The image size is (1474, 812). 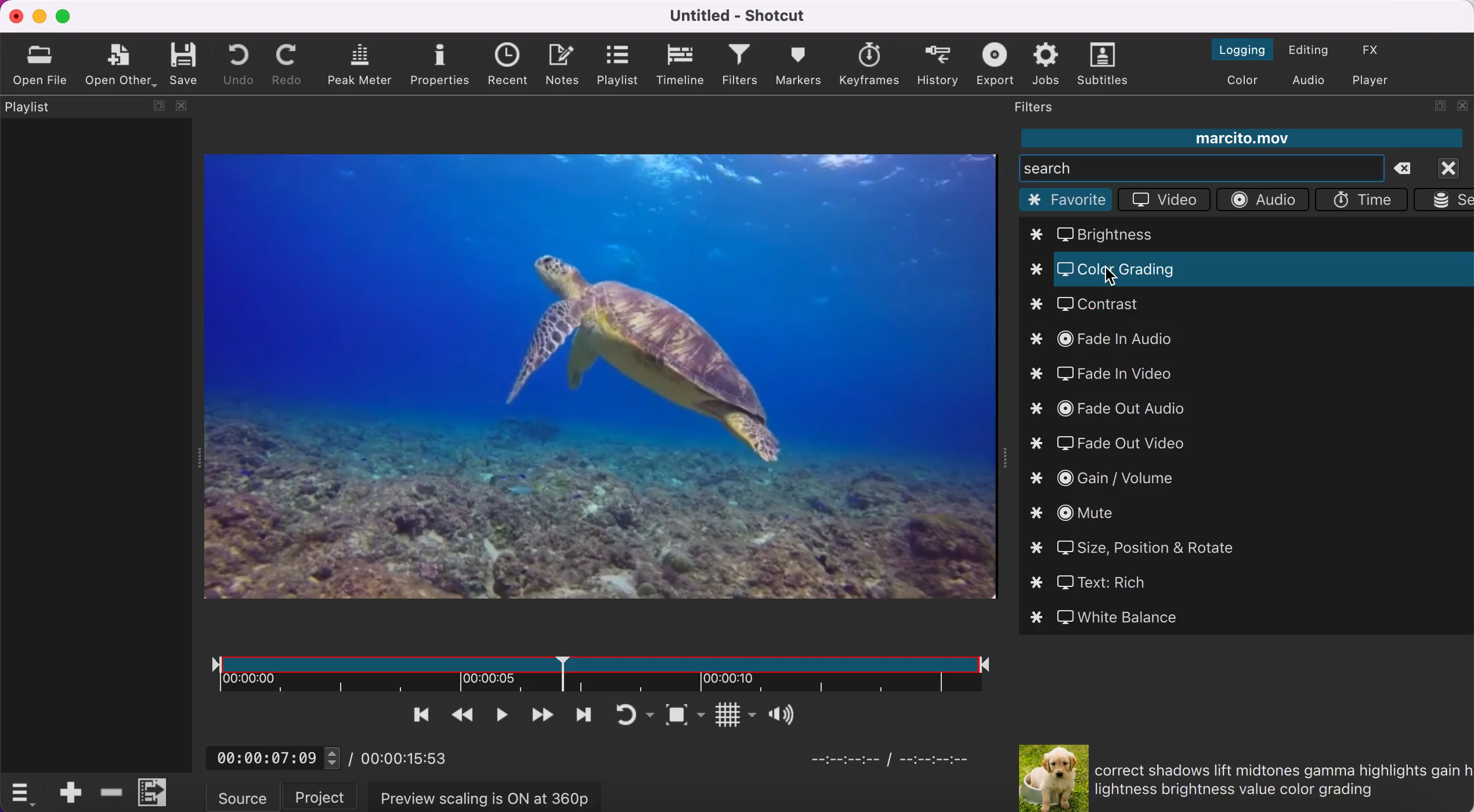 What do you see at coordinates (1107, 582) in the screenshot?
I see `text: rich` at bounding box center [1107, 582].